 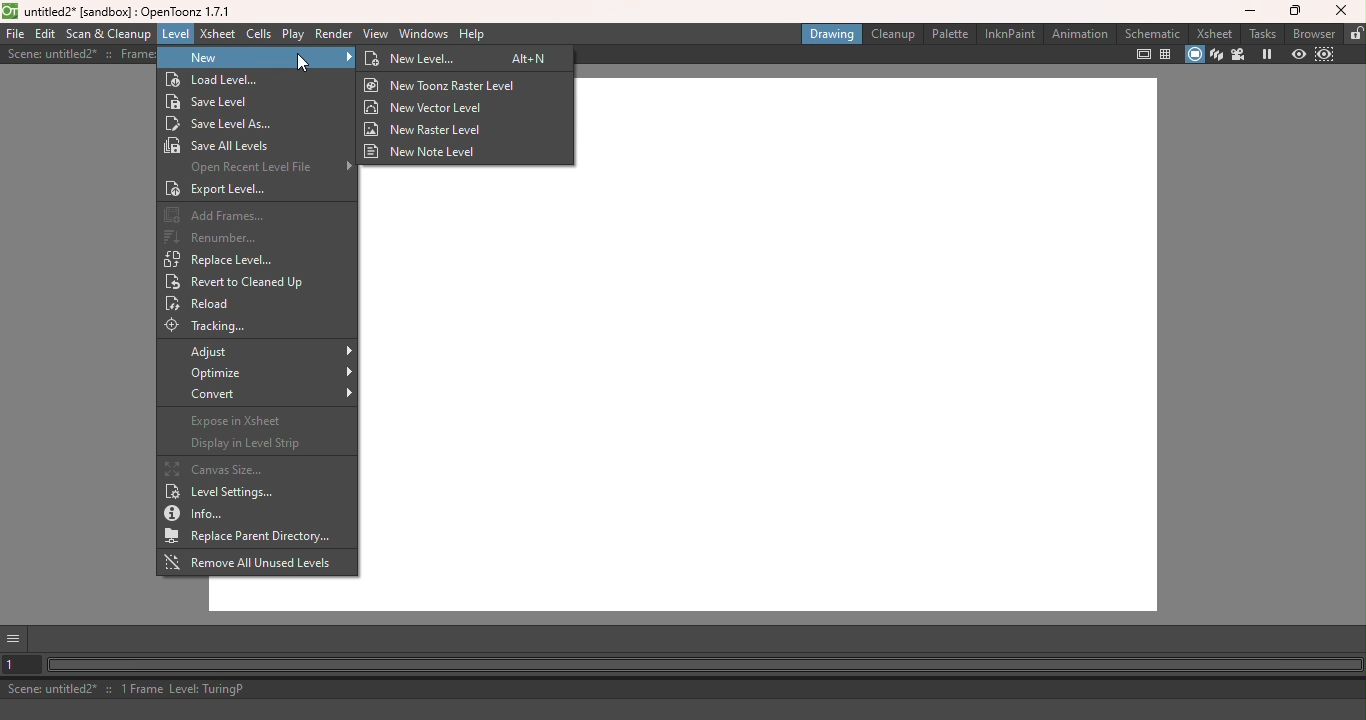 I want to click on Renumber, so click(x=217, y=237).